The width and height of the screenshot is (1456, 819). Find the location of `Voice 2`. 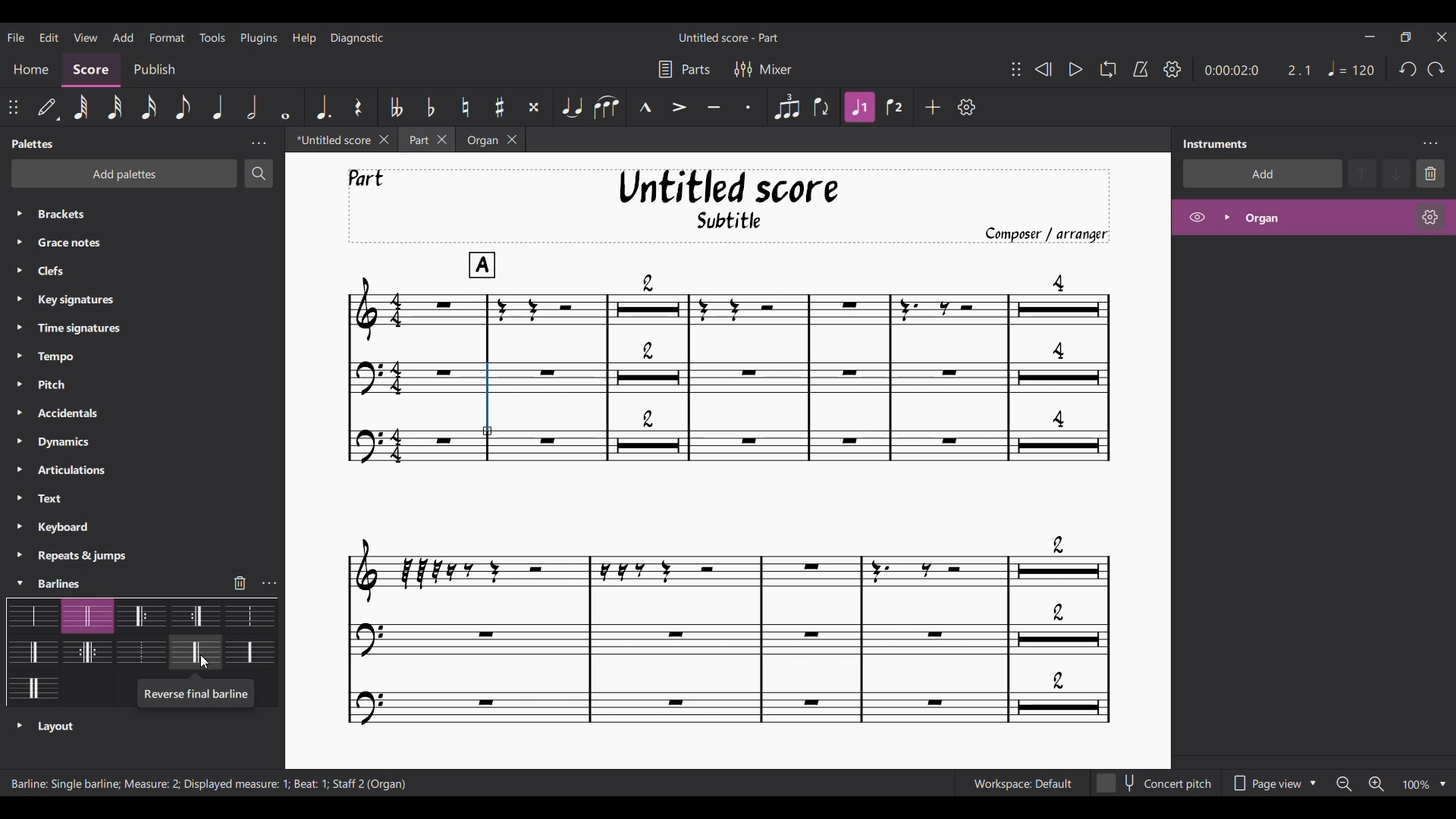

Voice 2 is located at coordinates (893, 107).